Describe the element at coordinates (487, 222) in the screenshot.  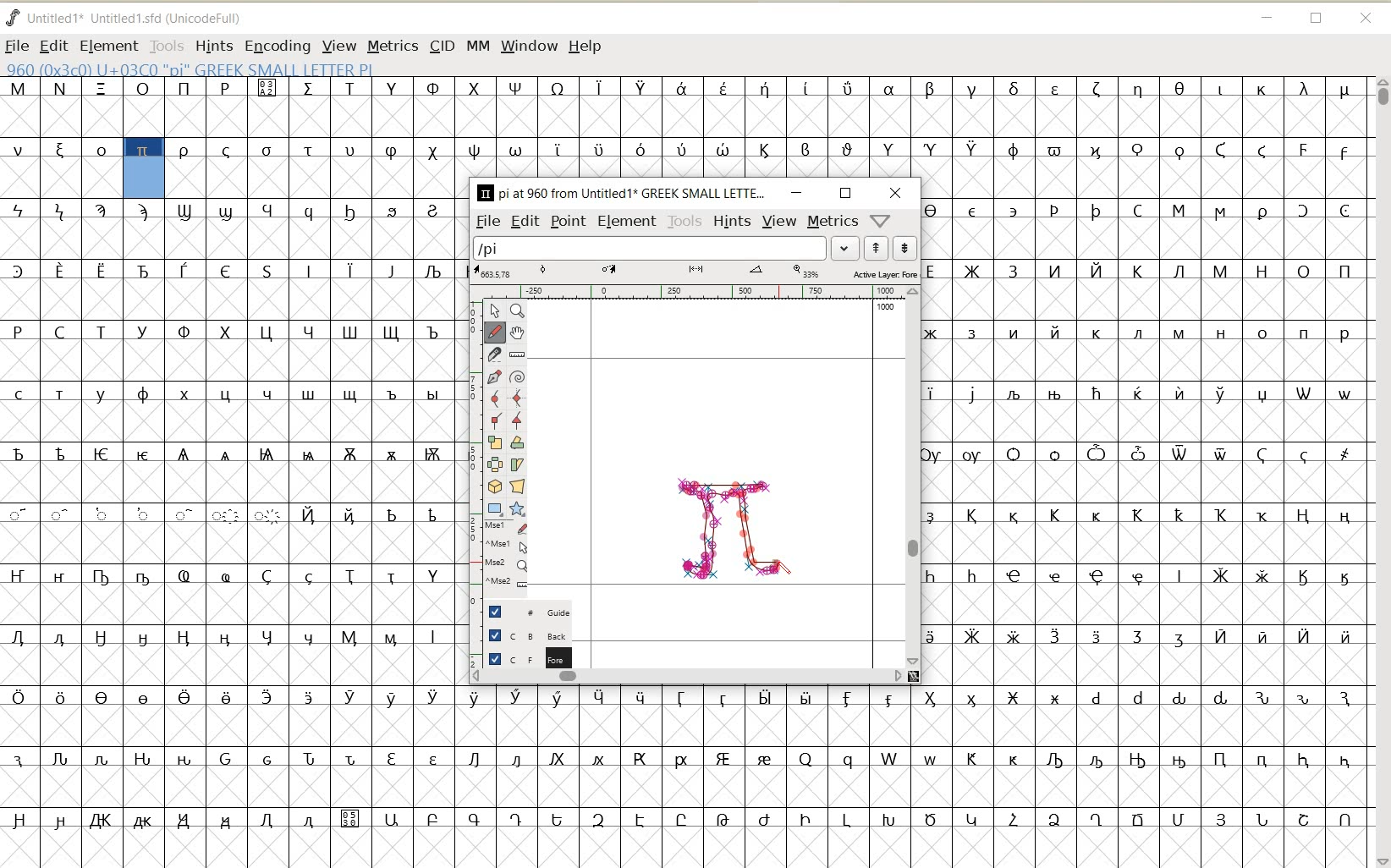
I see `FILE` at that location.